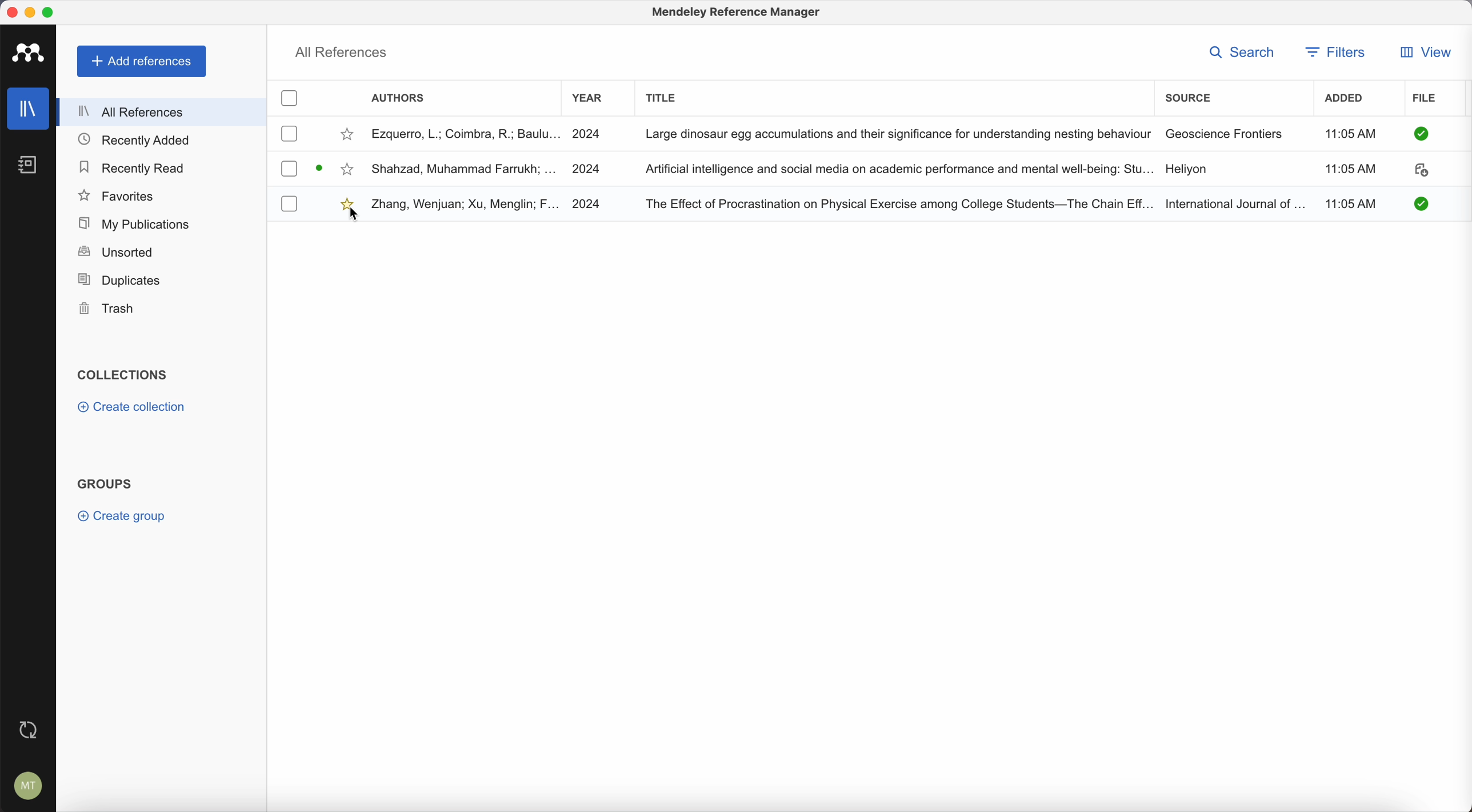  What do you see at coordinates (1416, 203) in the screenshot?
I see `pdf downloaded` at bounding box center [1416, 203].